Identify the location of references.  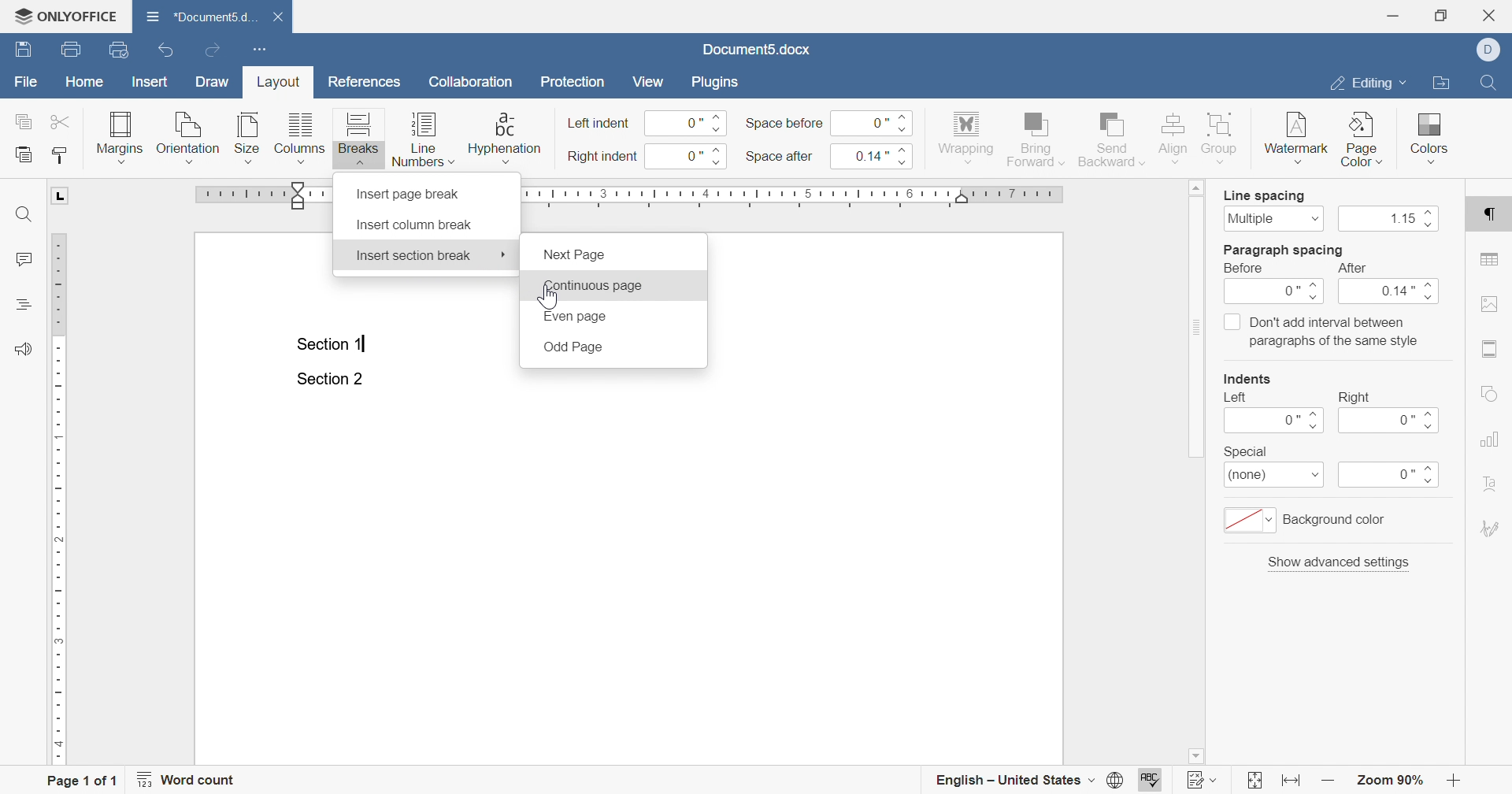
(365, 82).